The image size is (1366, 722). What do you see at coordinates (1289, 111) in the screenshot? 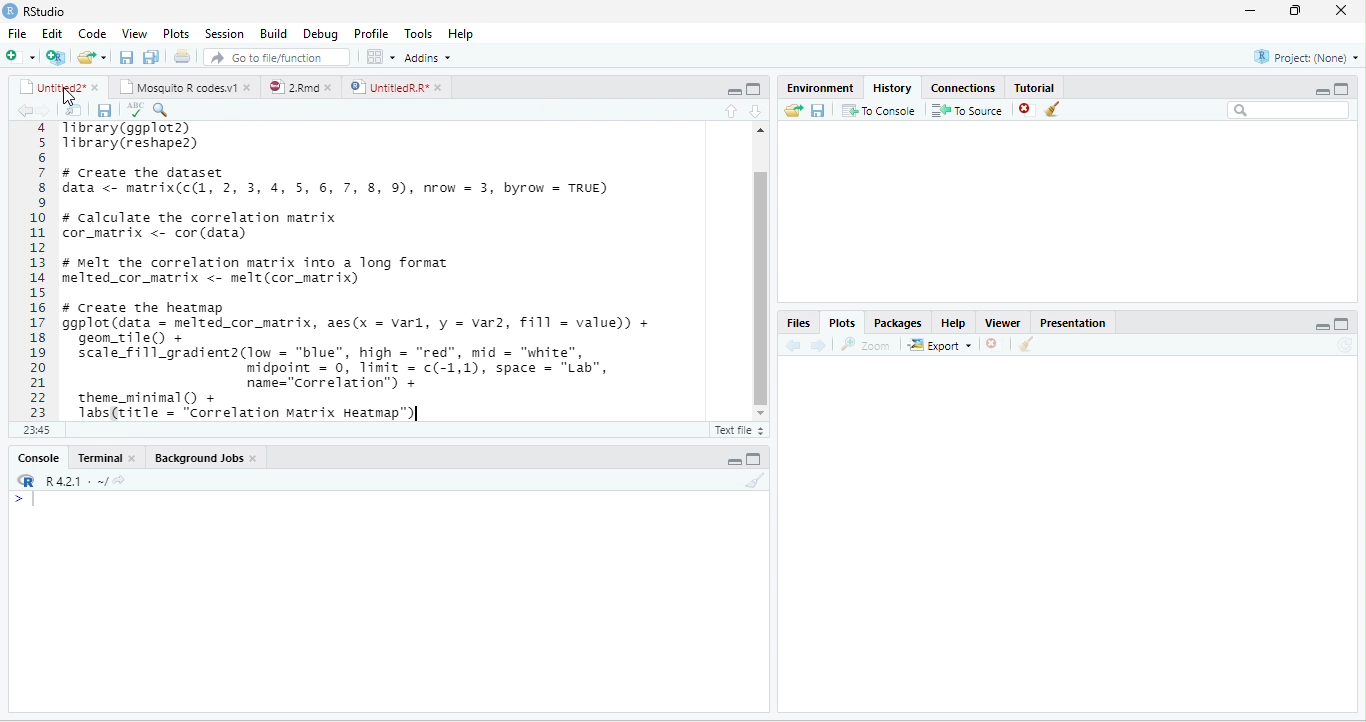
I see `search bar` at bounding box center [1289, 111].